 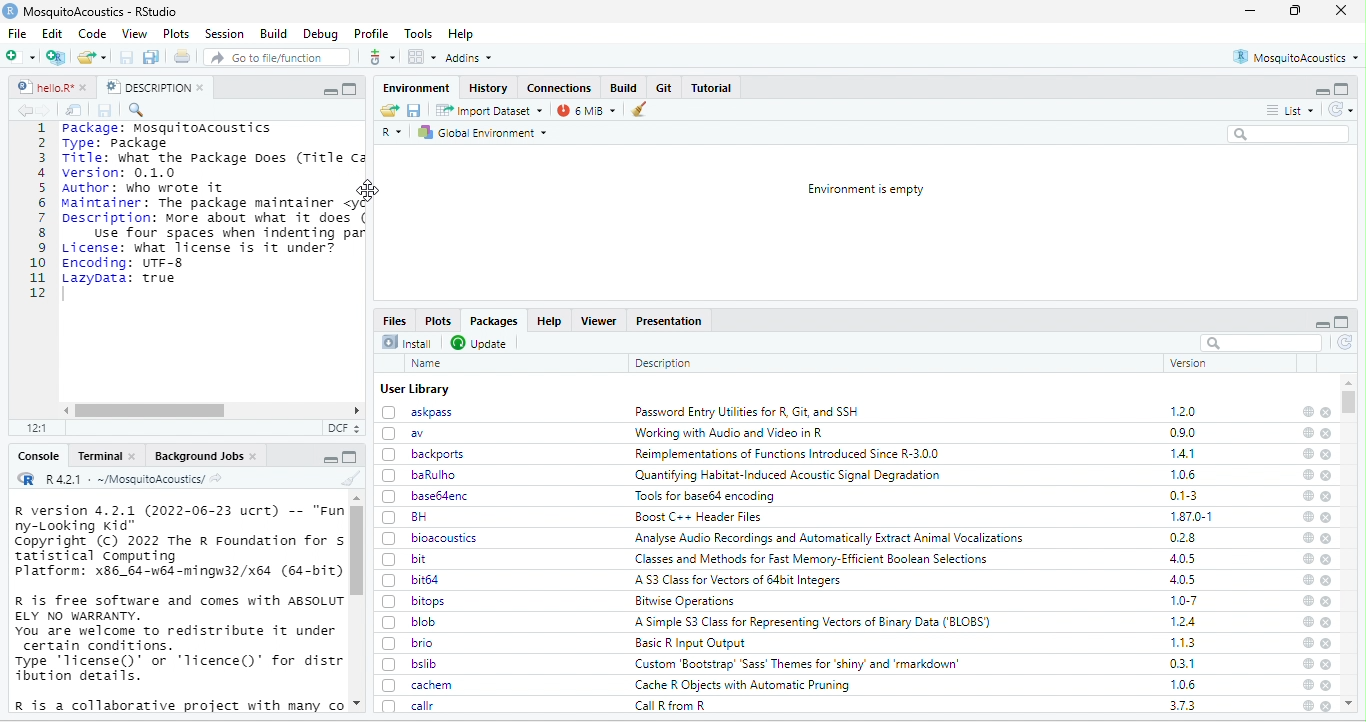 What do you see at coordinates (1189, 363) in the screenshot?
I see `version` at bounding box center [1189, 363].